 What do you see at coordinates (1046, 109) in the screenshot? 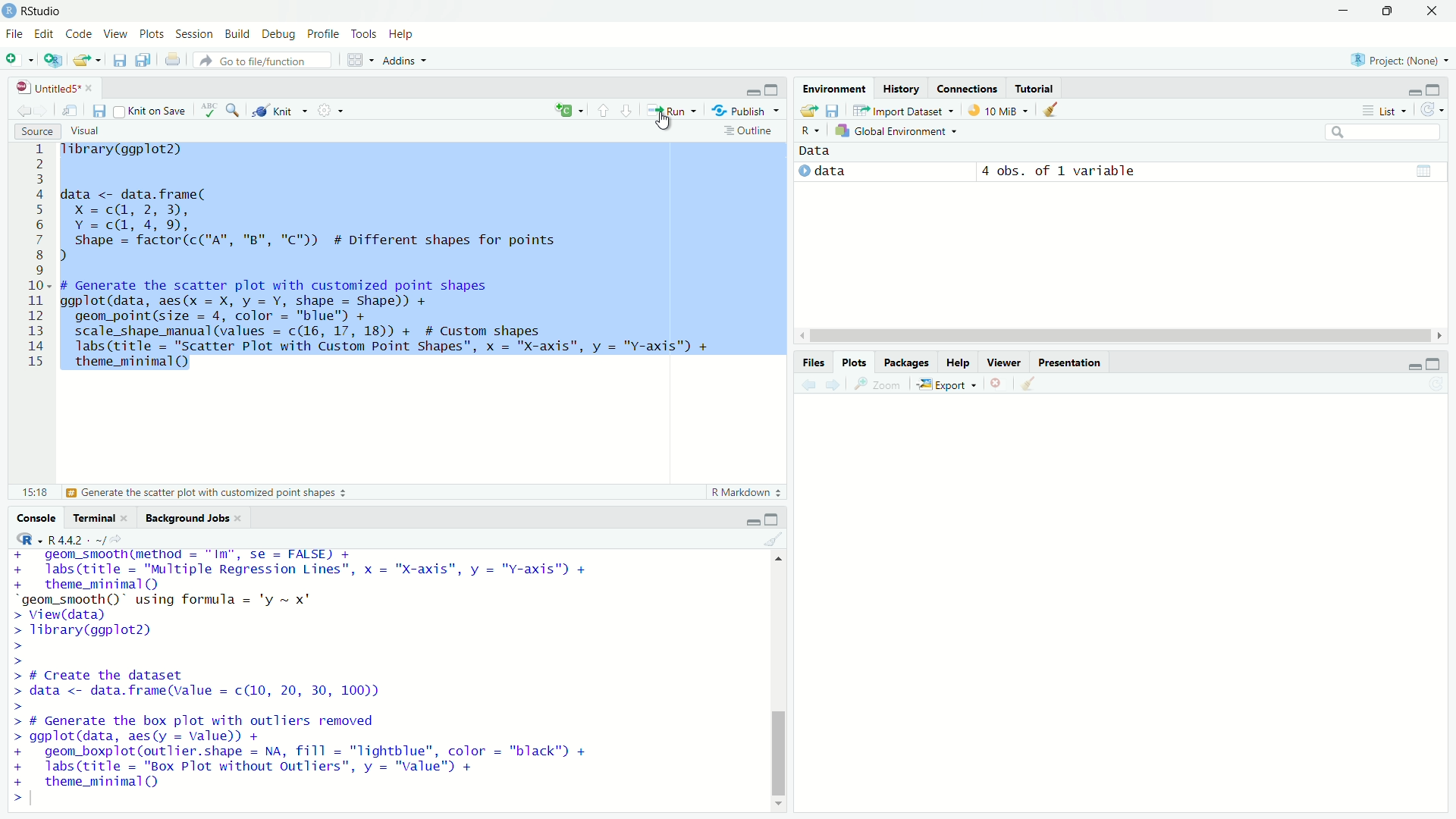
I see `Clear objects from workspace` at bounding box center [1046, 109].